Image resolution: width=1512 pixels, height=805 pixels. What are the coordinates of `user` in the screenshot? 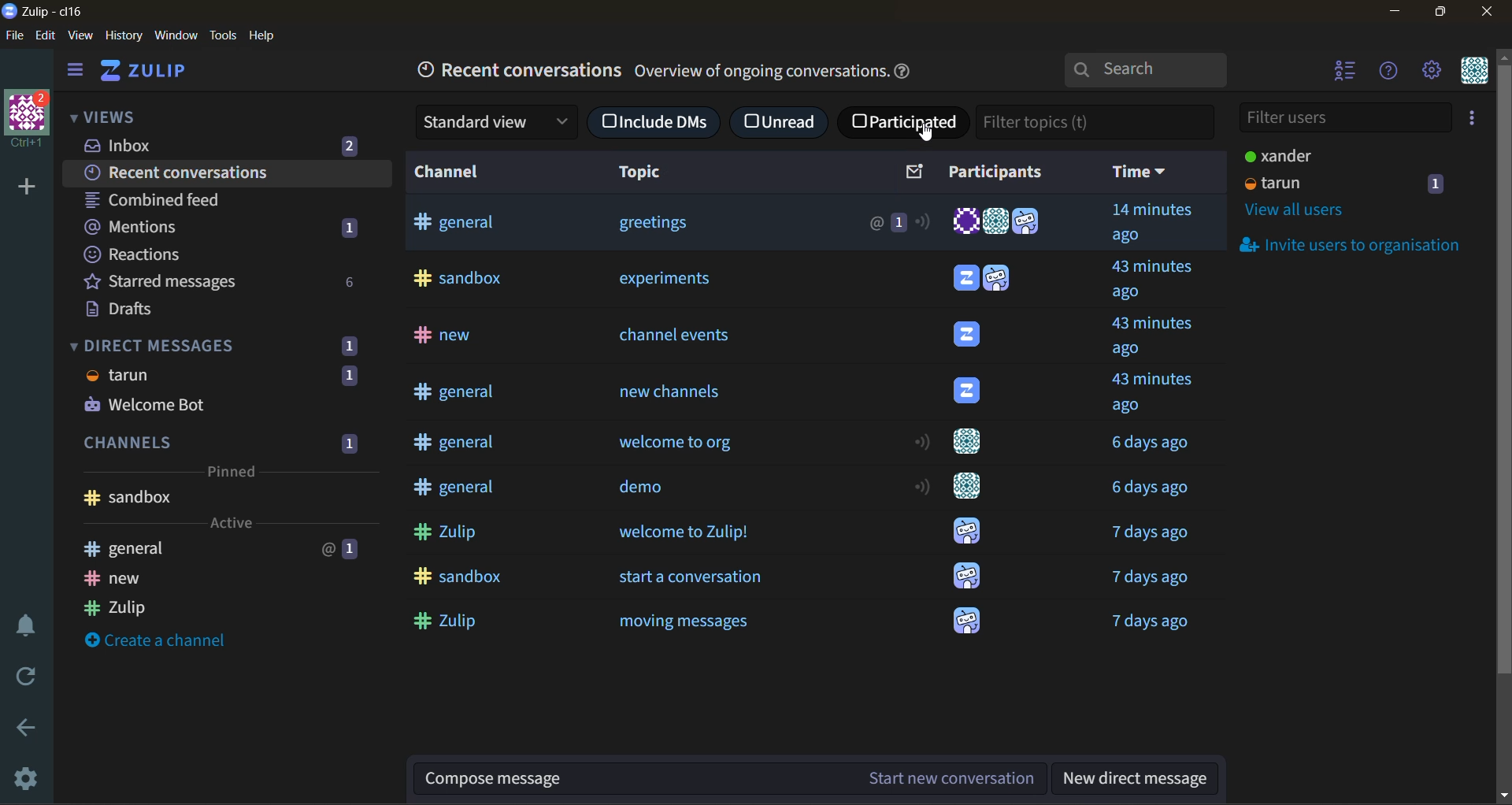 It's located at (968, 443).